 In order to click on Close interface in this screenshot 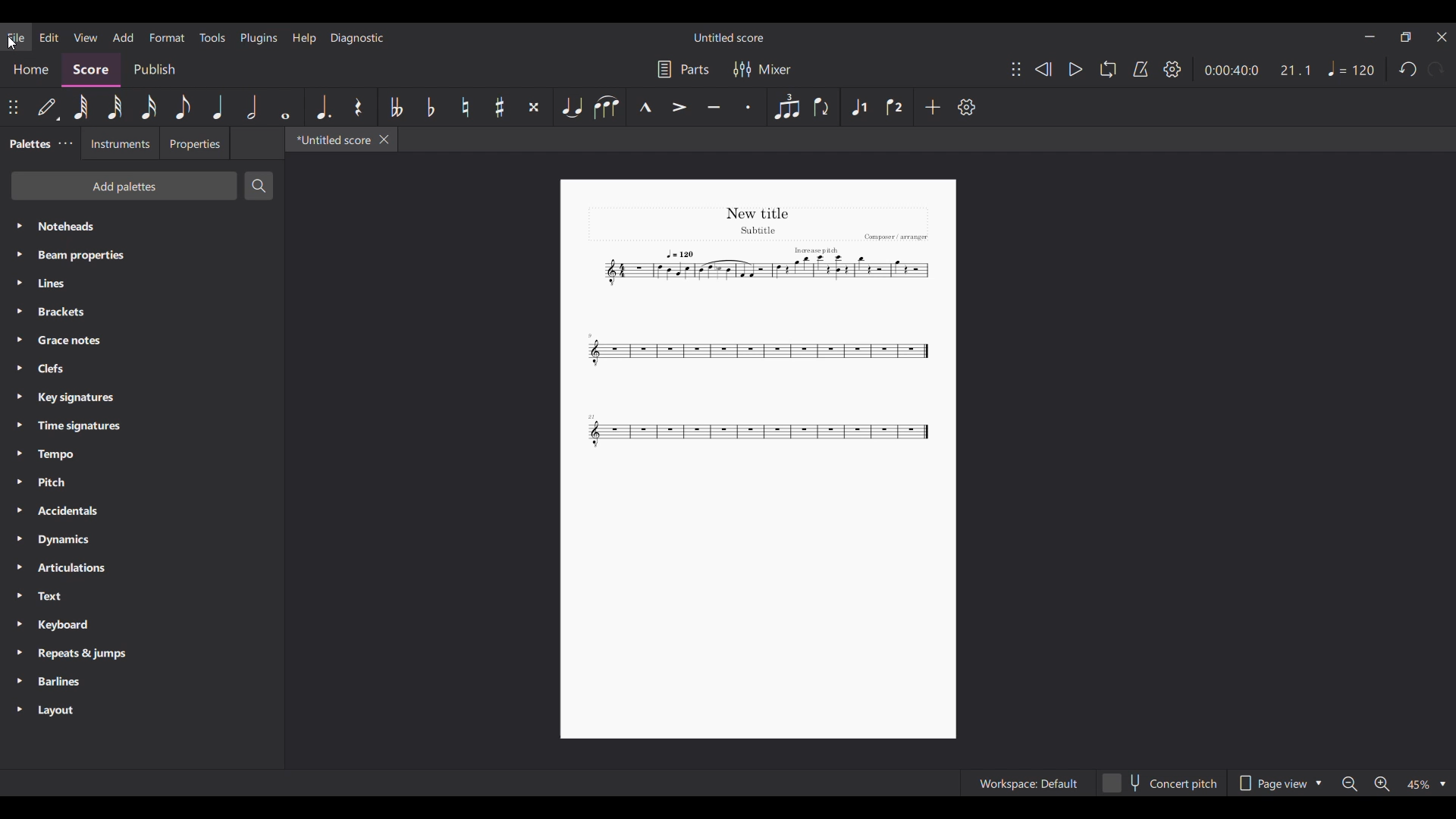, I will do `click(1442, 37)`.